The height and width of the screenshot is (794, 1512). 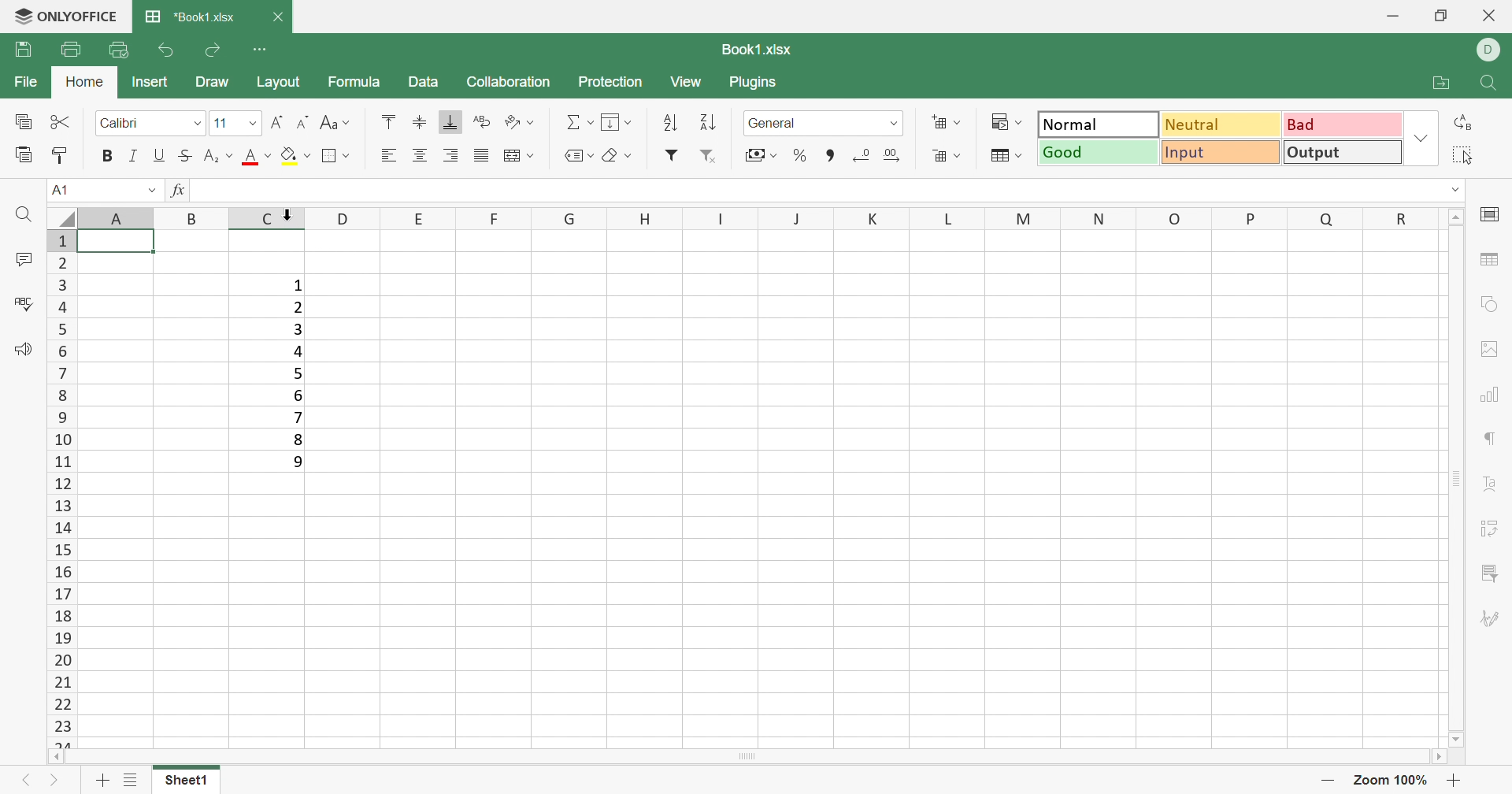 I want to click on O, so click(x=1178, y=217).